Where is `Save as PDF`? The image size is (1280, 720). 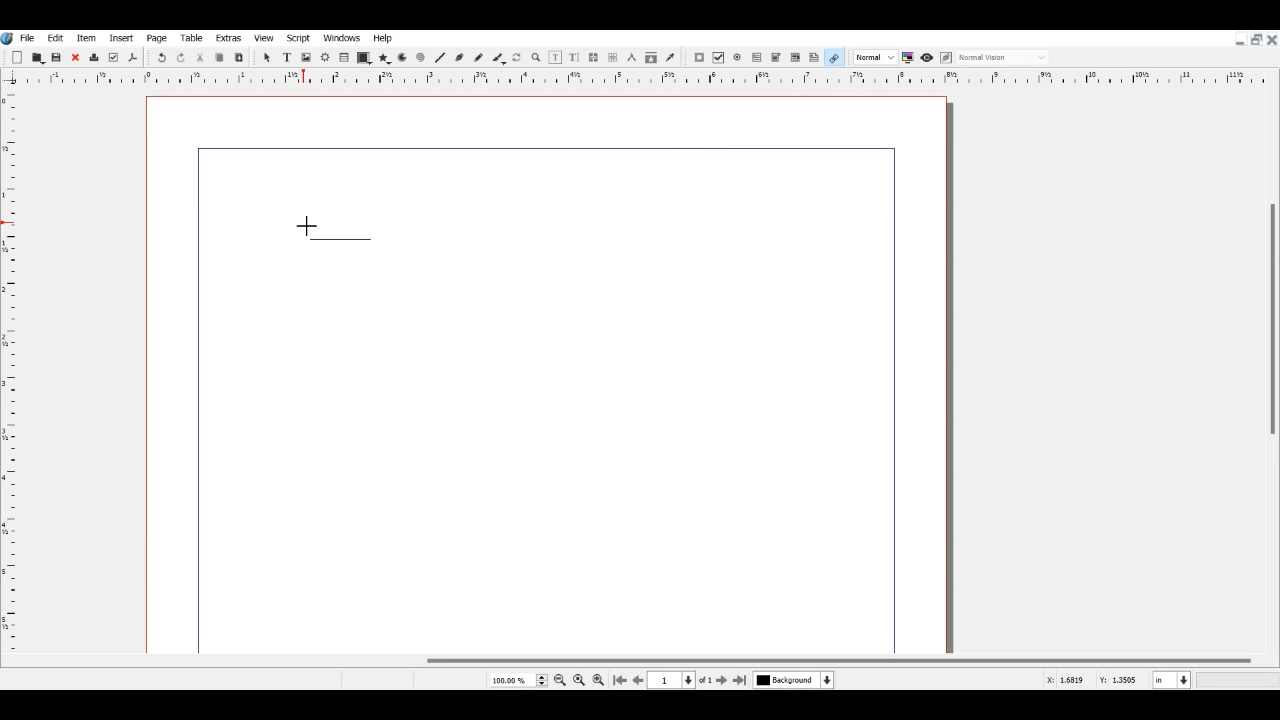 Save as PDF is located at coordinates (133, 58).